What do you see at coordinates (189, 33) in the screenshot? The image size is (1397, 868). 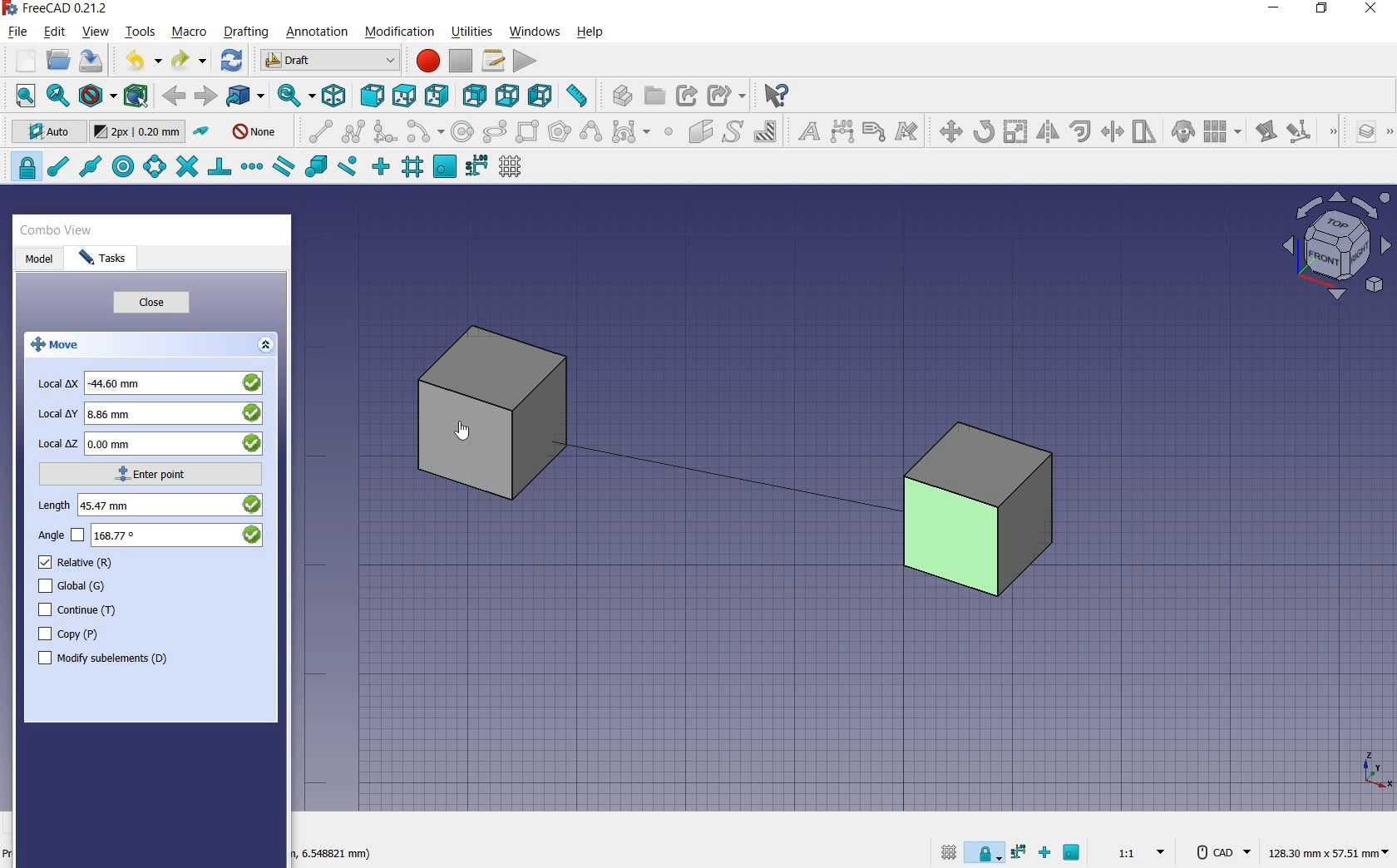 I see `macro` at bounding box center [189, 33].